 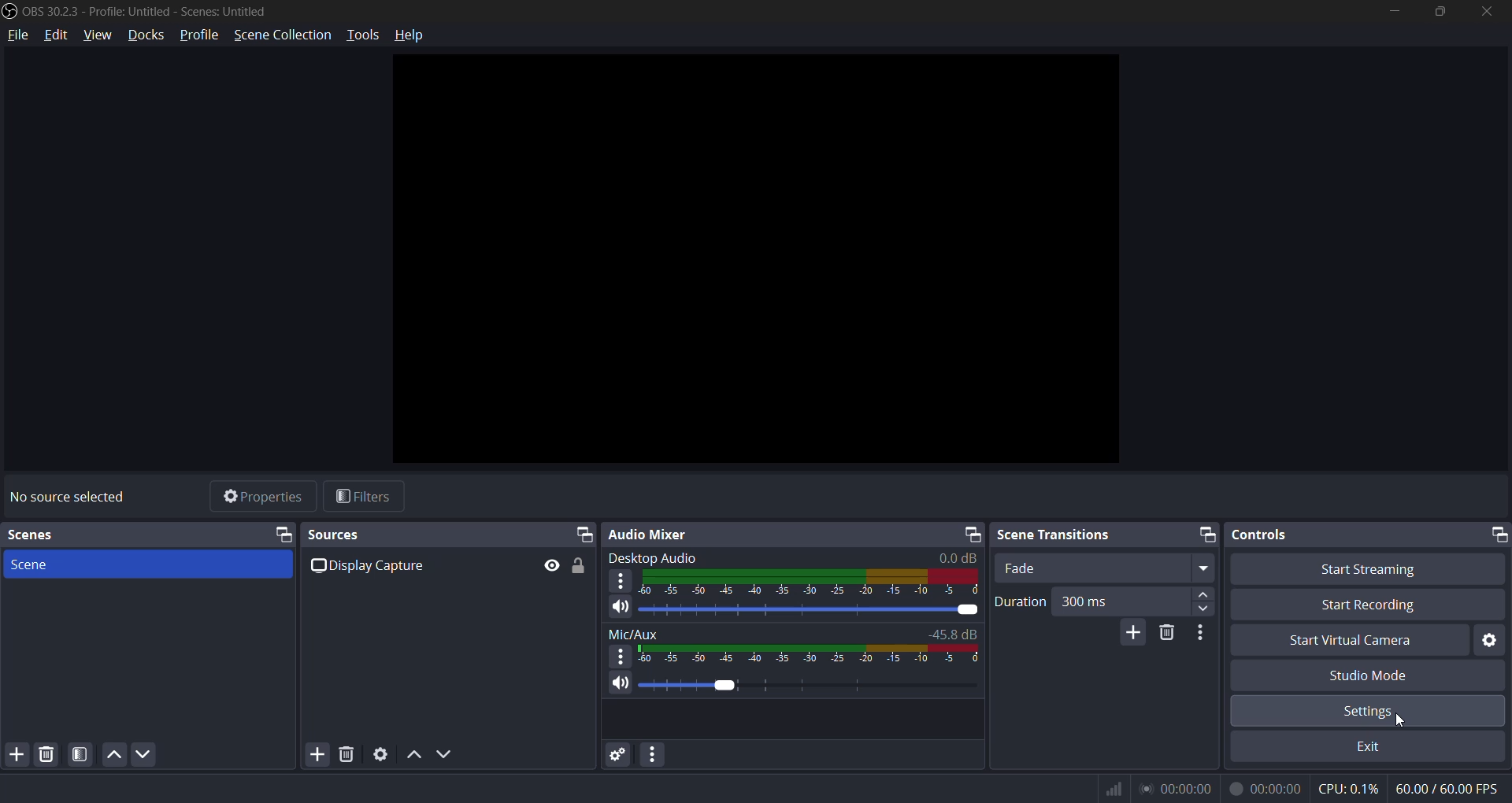 What do you see at coordinates (1020, 603) in the screenshot?
I see `duration` at bounding box center [1020, 603].